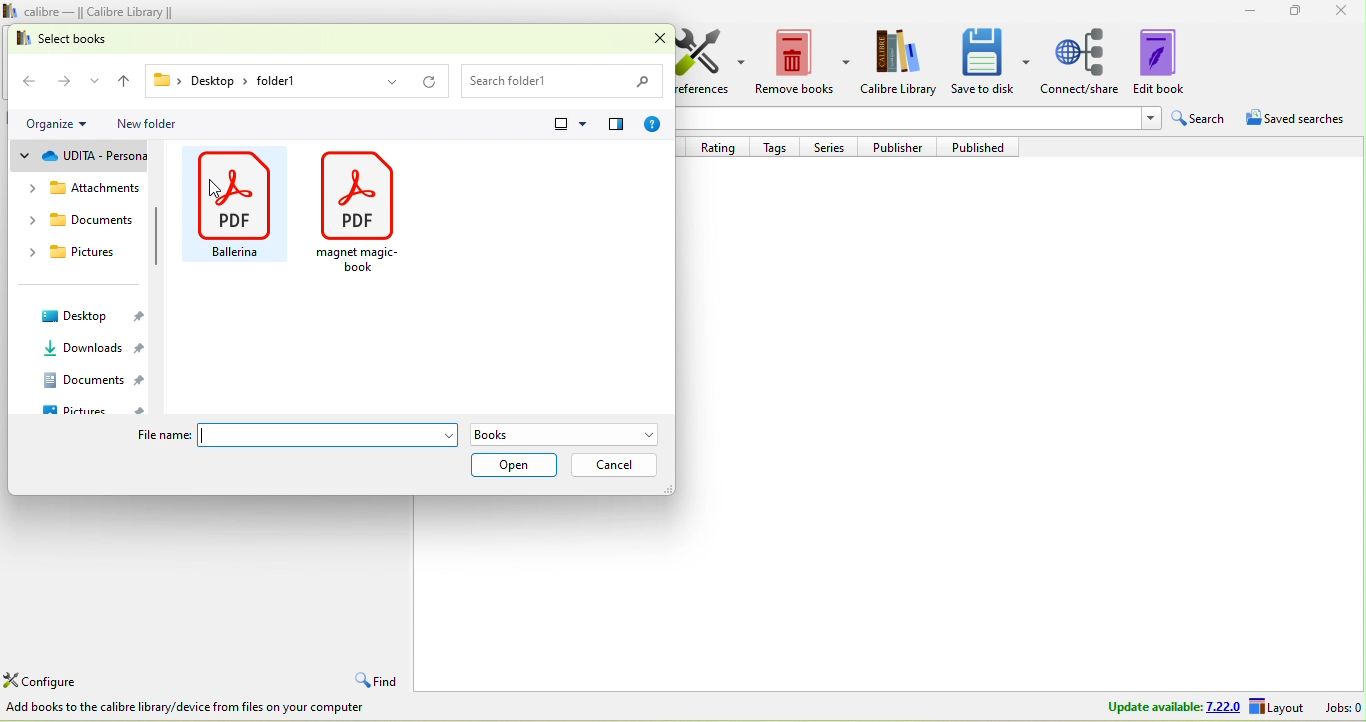  What do you see at coordinates (1297, 116) in the screenshot?
I see `saved searches` at bounding box center [1297, 116].